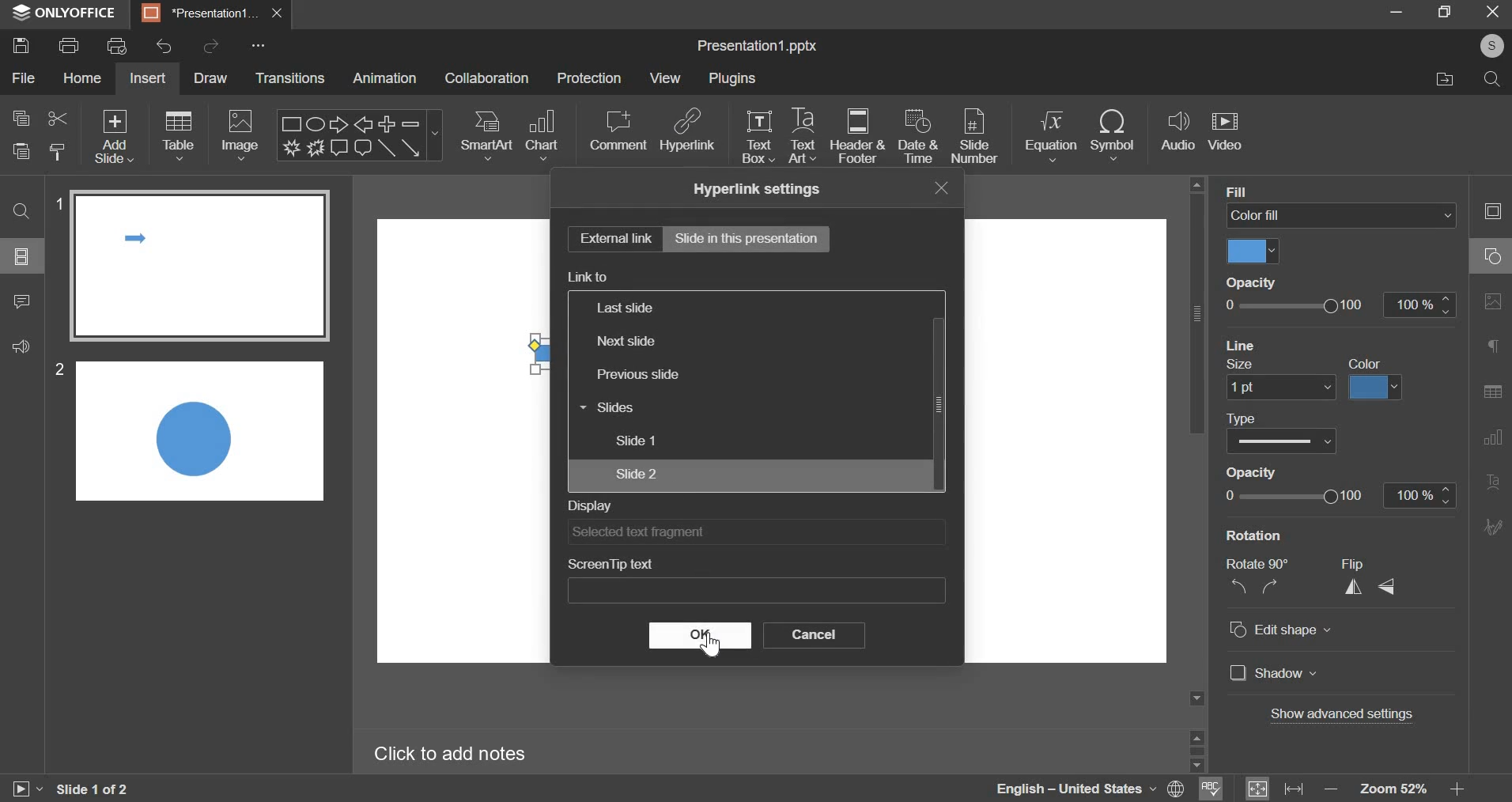 Image resolution: width=1512 pixels, height=802 pixels. I want to click on insert equation, so click(1052, 136).